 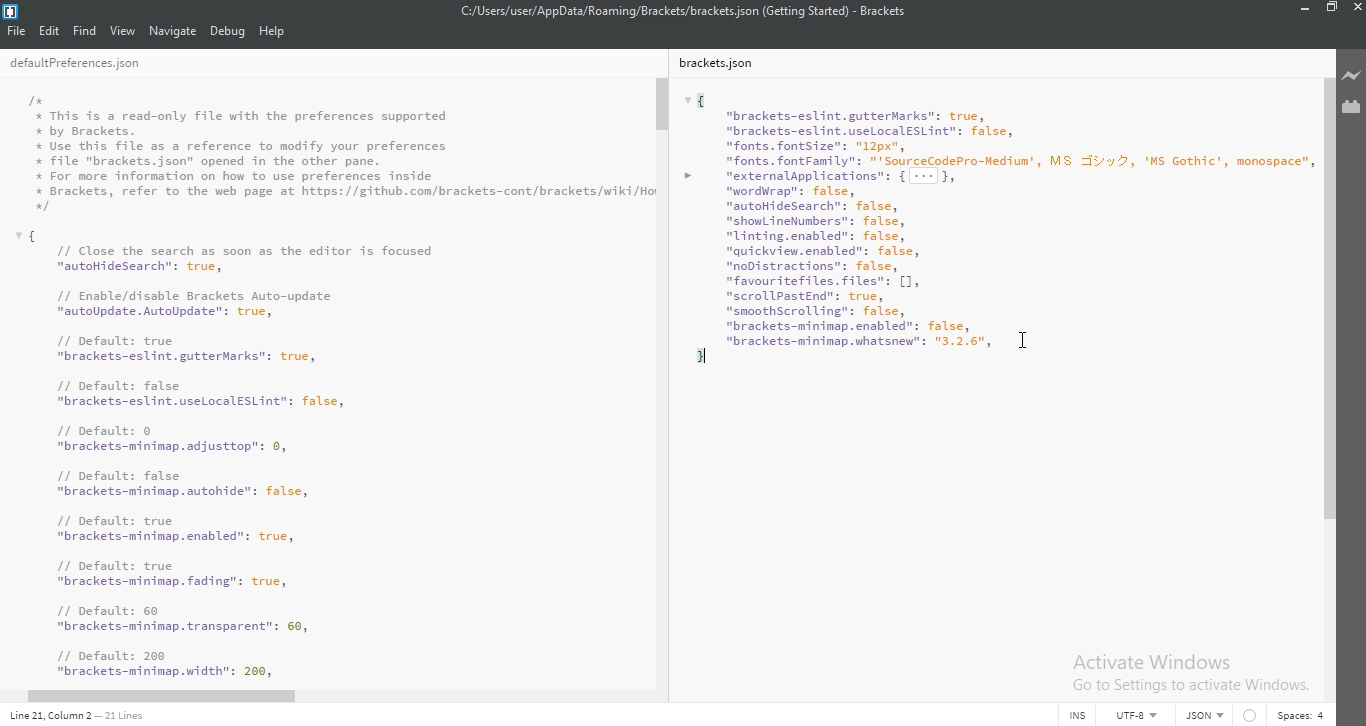 What do you see at coordinates (1077, 714) in the screenshot?
I see `INS` at bounding box center [1077, 714].